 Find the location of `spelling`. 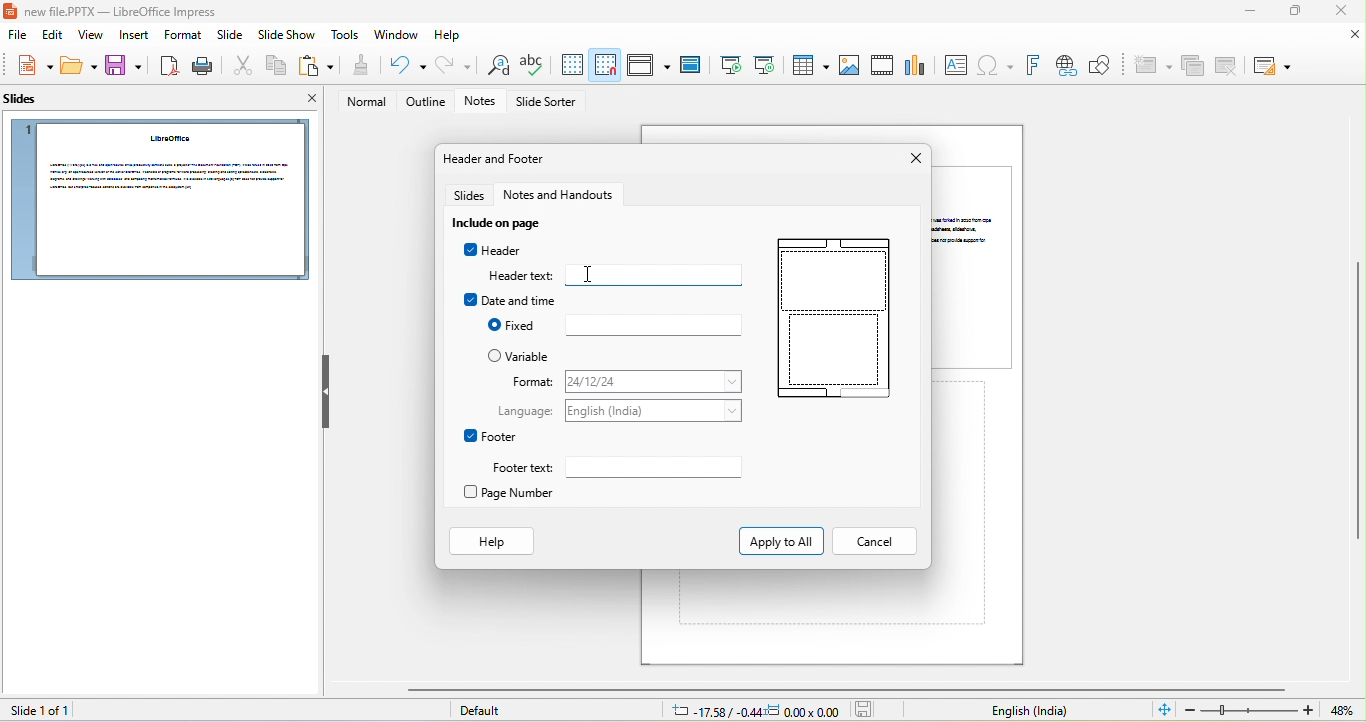

spelling is located at coordinates (532, 66).